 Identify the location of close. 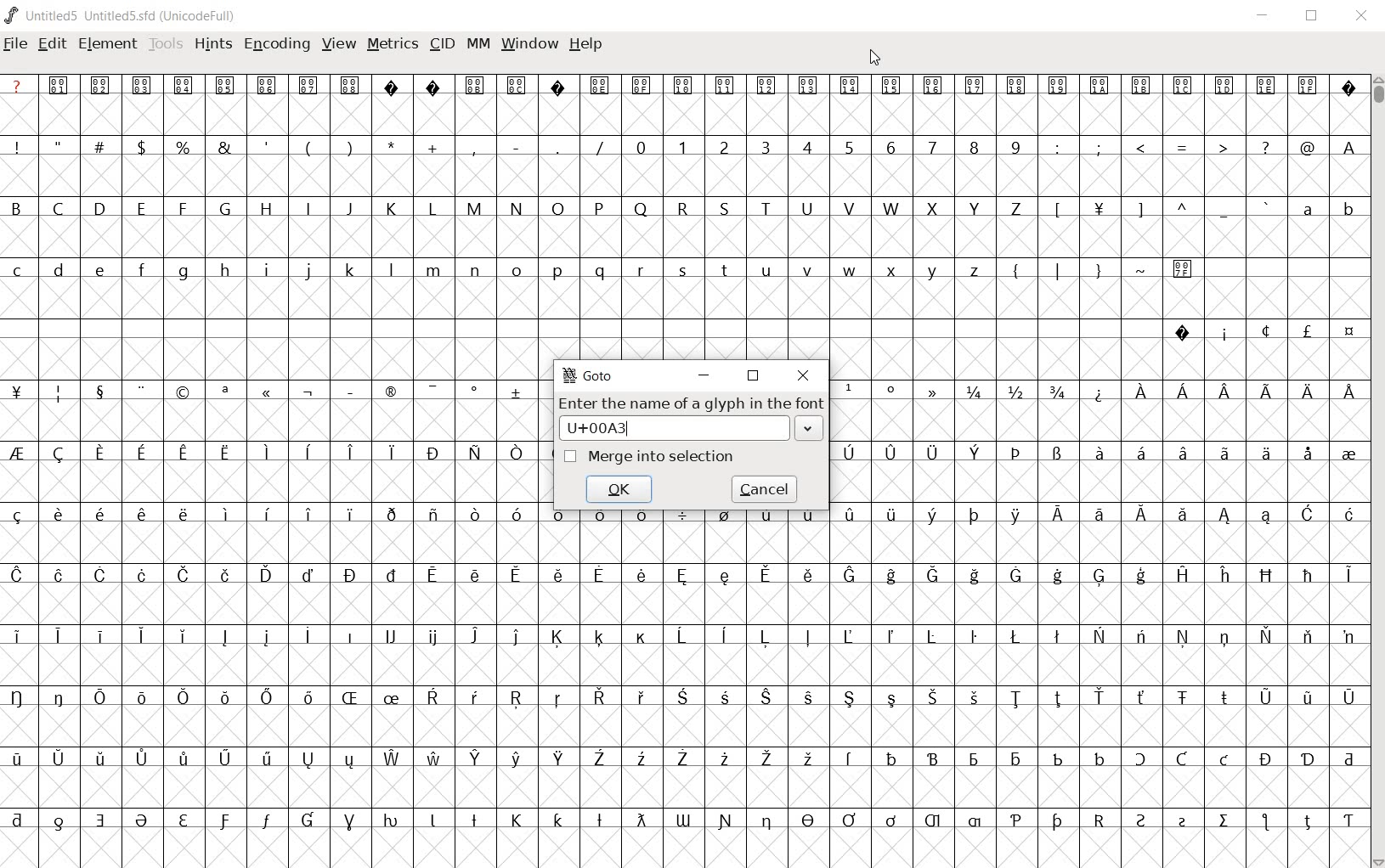
(804, 375).